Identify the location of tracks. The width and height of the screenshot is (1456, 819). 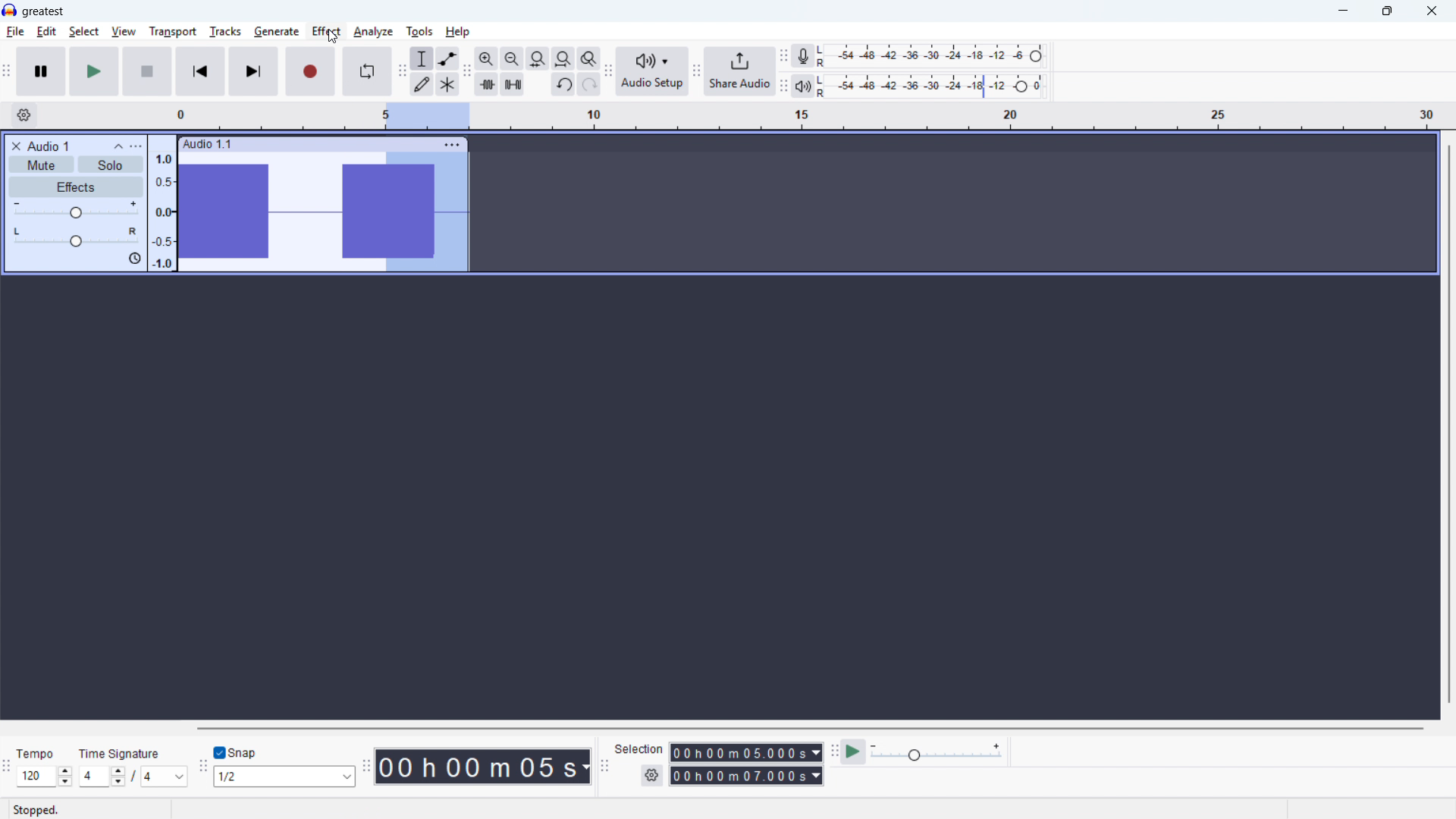
(226, 32).